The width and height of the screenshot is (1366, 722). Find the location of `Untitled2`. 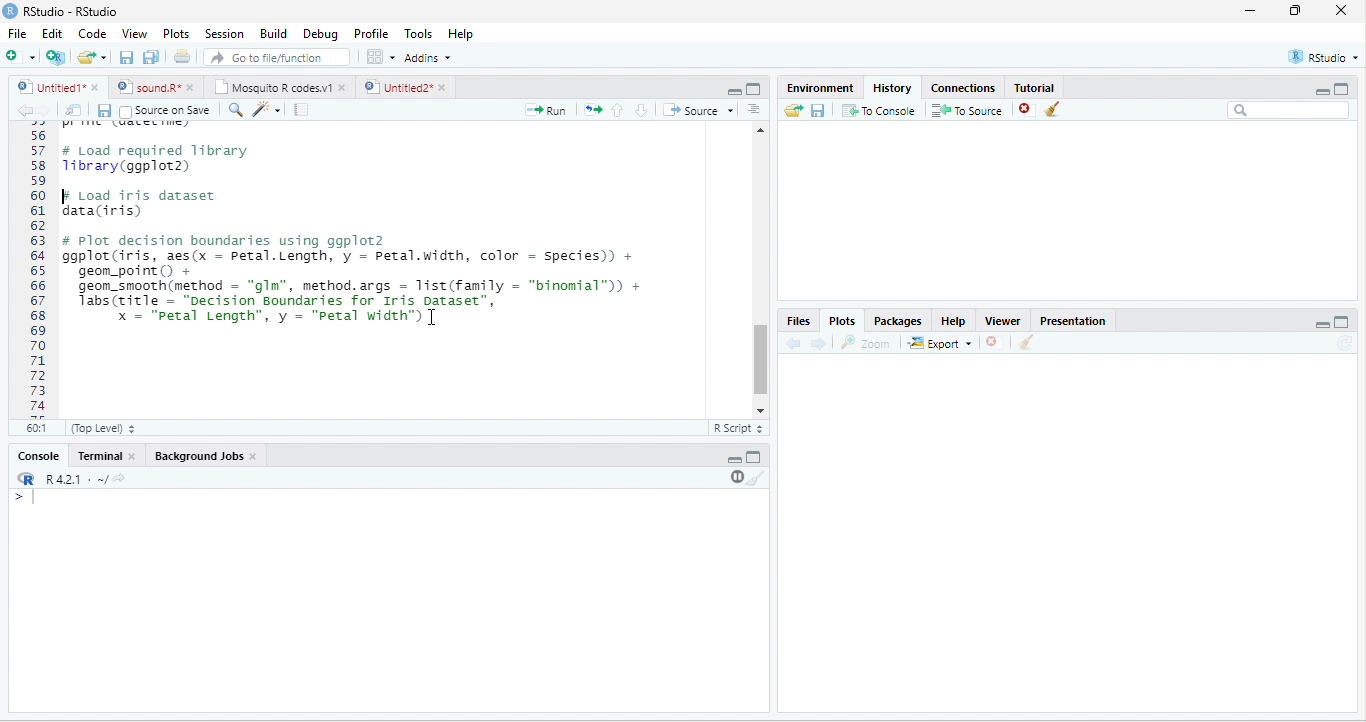

Untitled2 is located at coordinates (396, 87).